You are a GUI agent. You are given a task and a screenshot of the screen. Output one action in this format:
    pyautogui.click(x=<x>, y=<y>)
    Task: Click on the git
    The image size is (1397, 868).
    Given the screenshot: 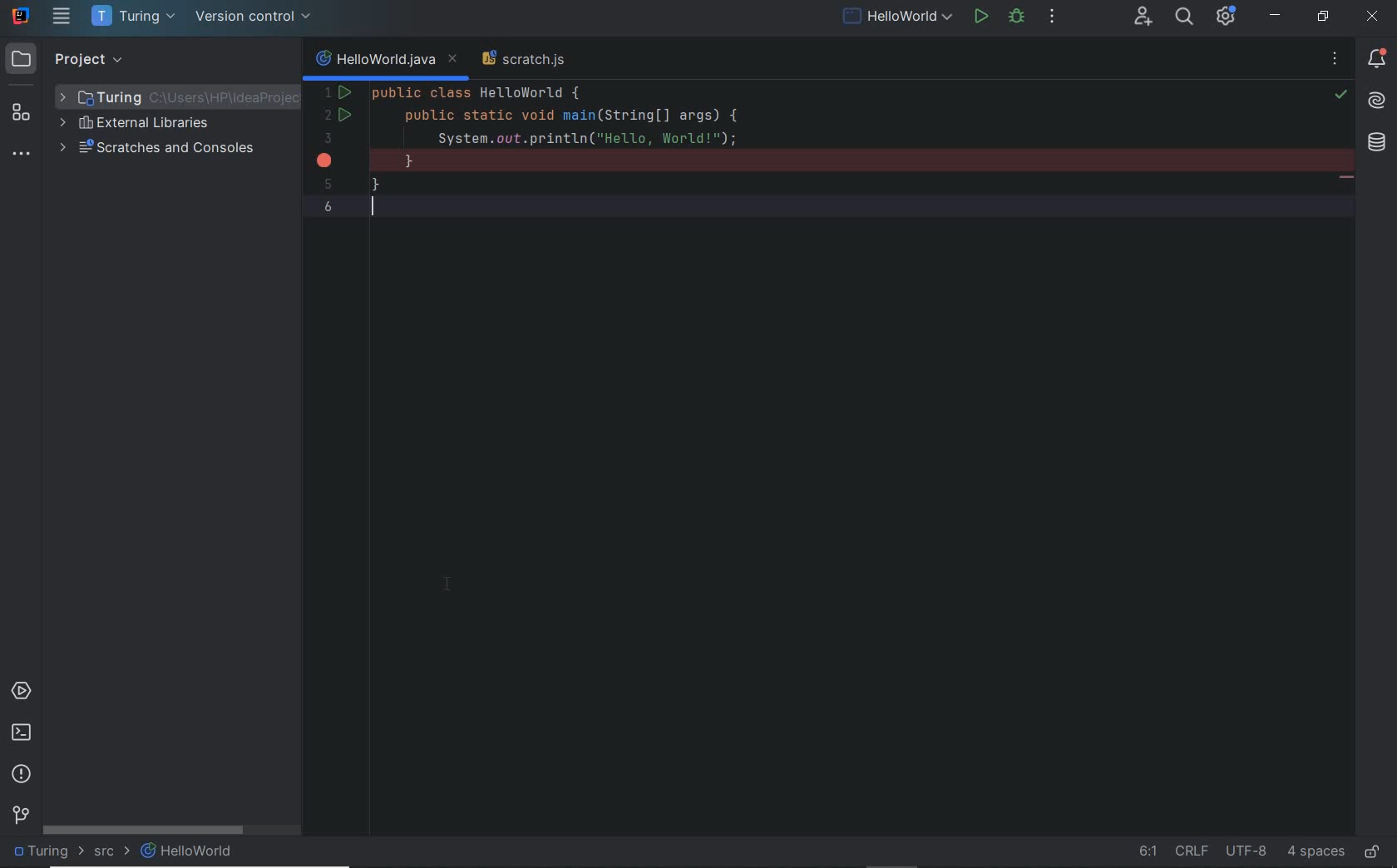 What is the action you would take?
    pyautogui.click(x=20, y=816)
    